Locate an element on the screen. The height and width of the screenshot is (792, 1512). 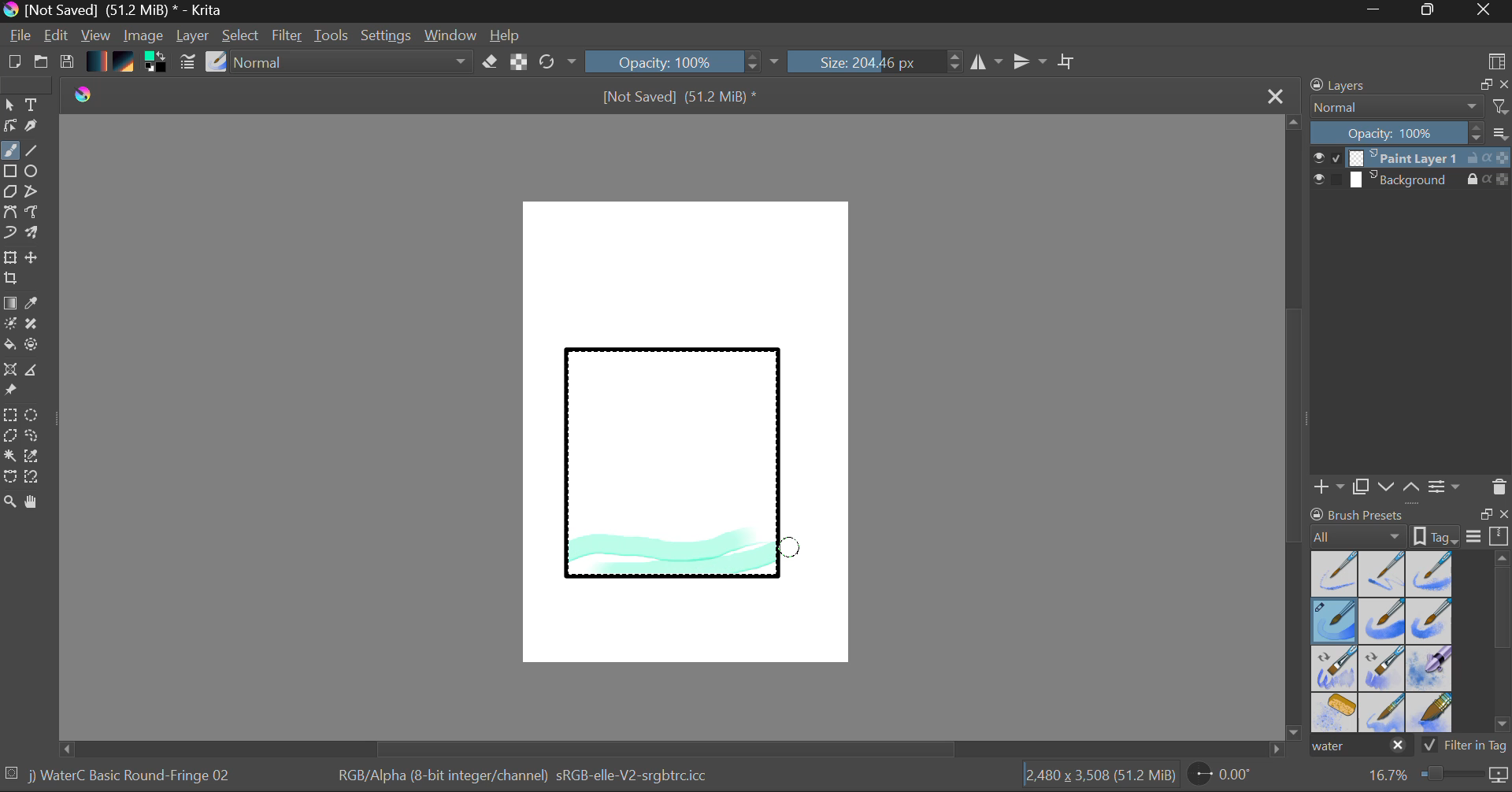
Paintbrush is located at coordinates (9, 152).